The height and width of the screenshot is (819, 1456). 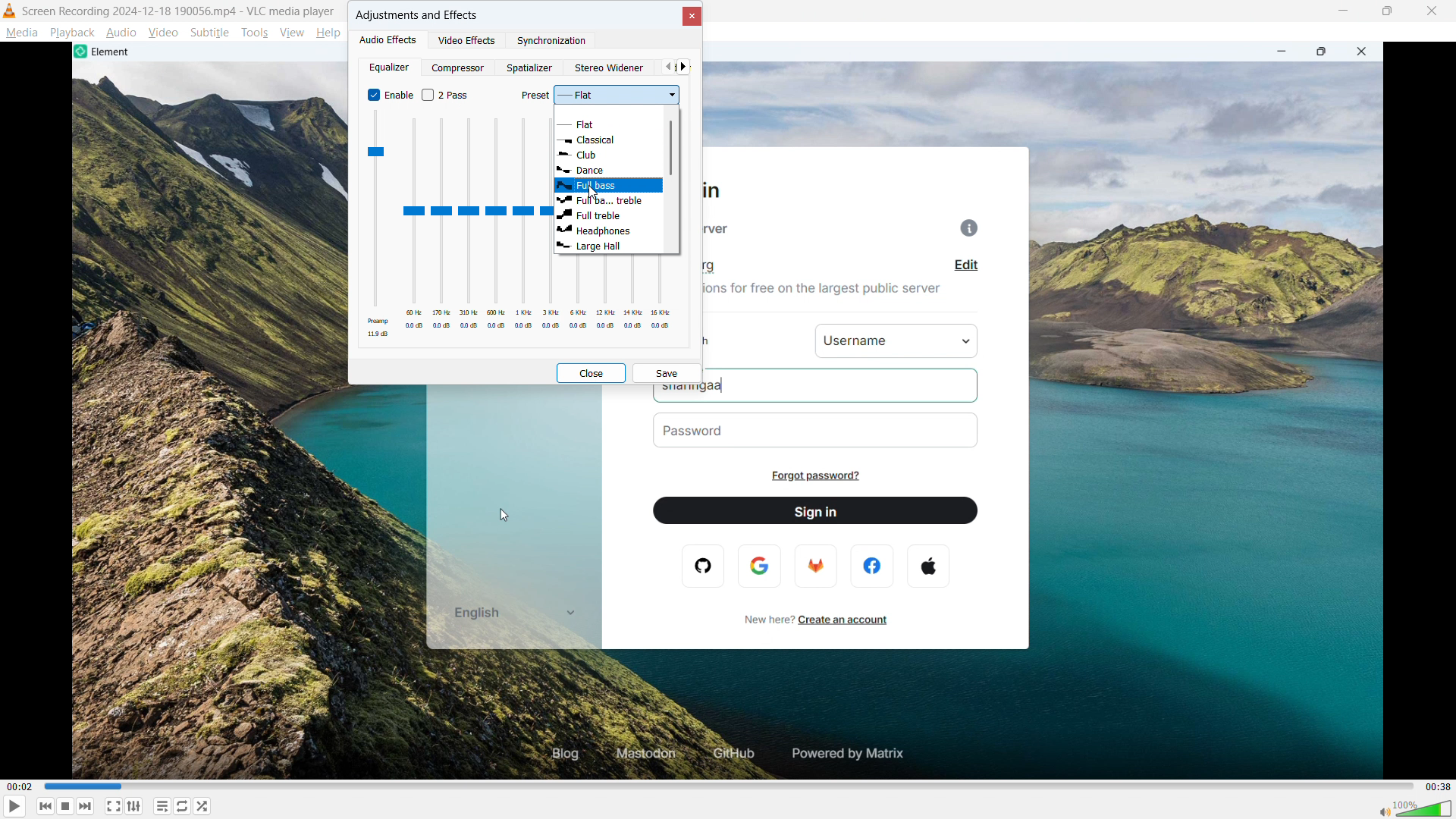 What do you see at coordinates (667, 67) in the screenshot?
I see `Previous tab ` at bounding box center [667, 67].